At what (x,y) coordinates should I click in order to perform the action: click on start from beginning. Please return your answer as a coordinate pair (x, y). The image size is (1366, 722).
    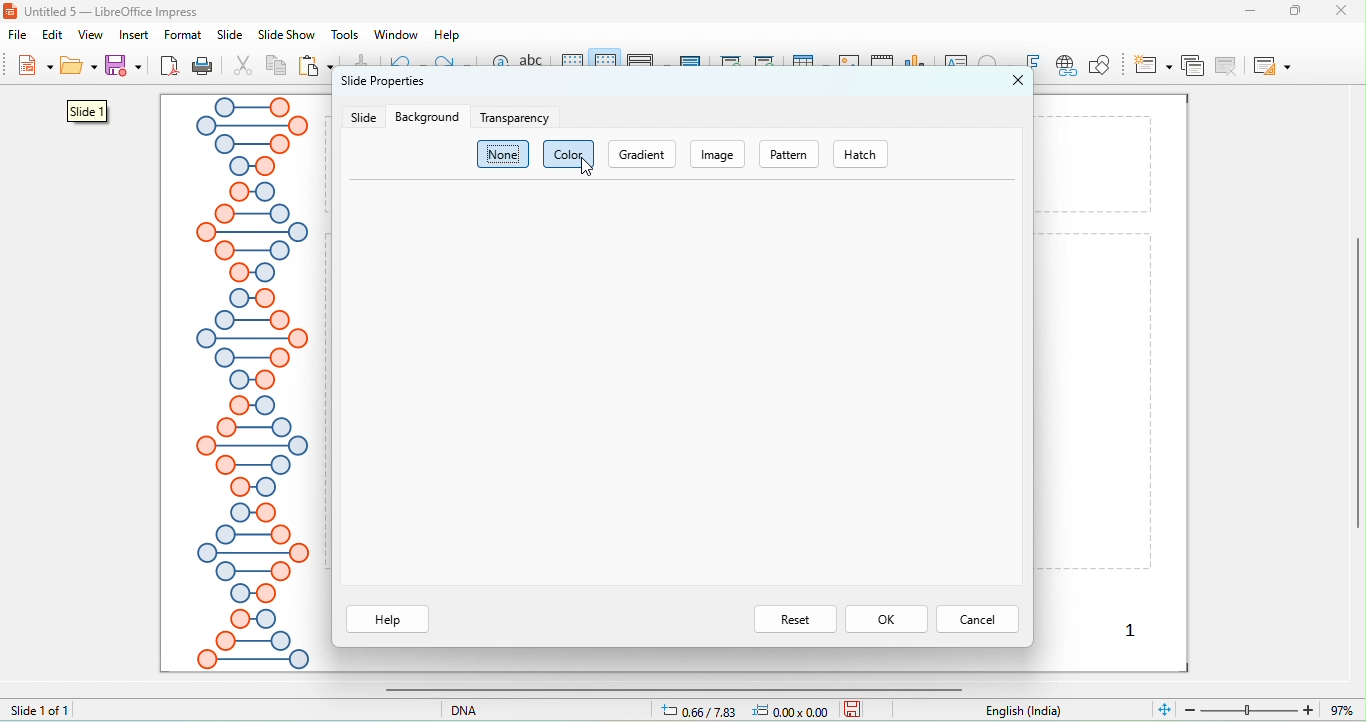
    Looking at the image, I should click on (732, 65).